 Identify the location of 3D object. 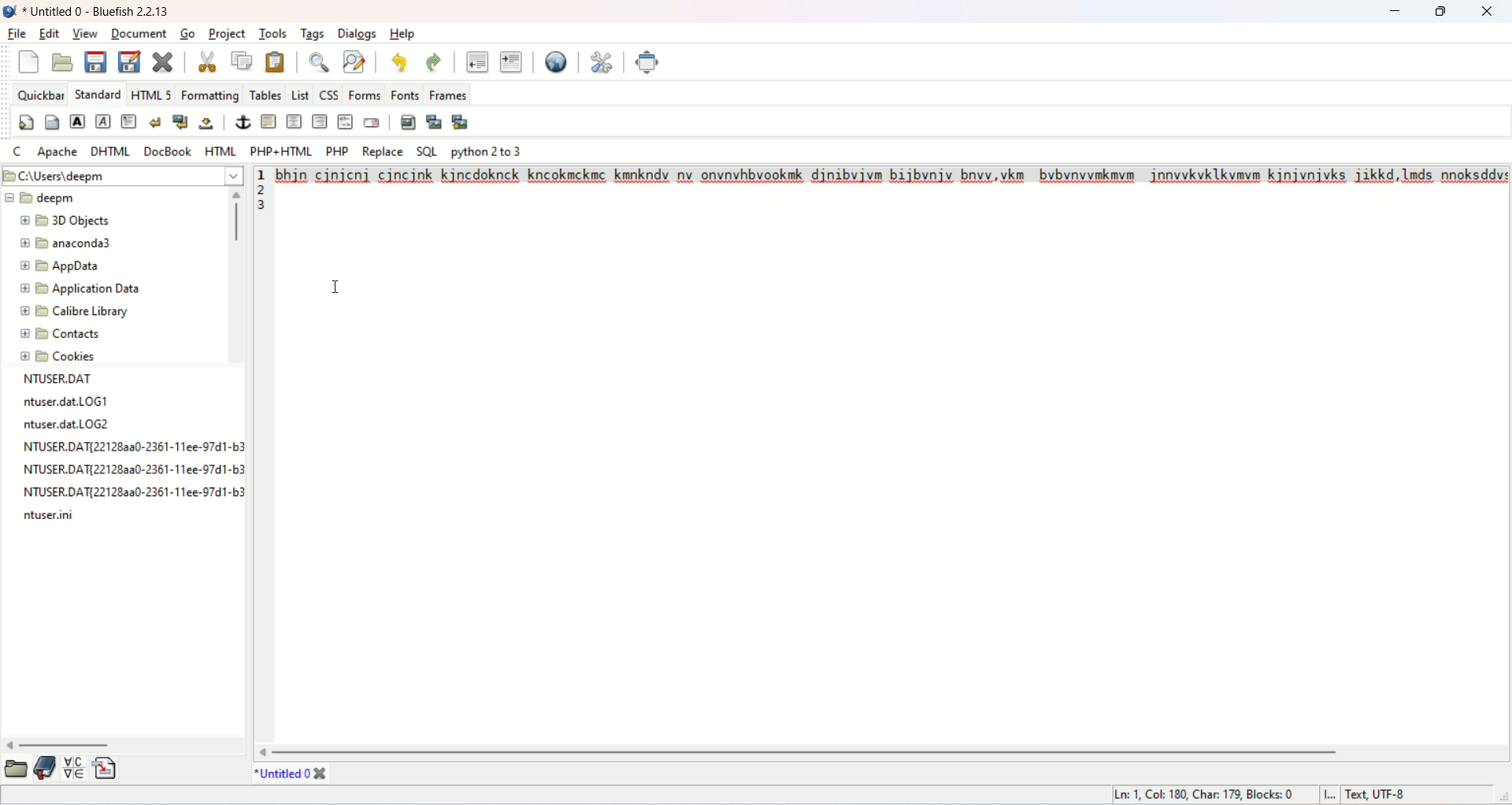
(72, 221).